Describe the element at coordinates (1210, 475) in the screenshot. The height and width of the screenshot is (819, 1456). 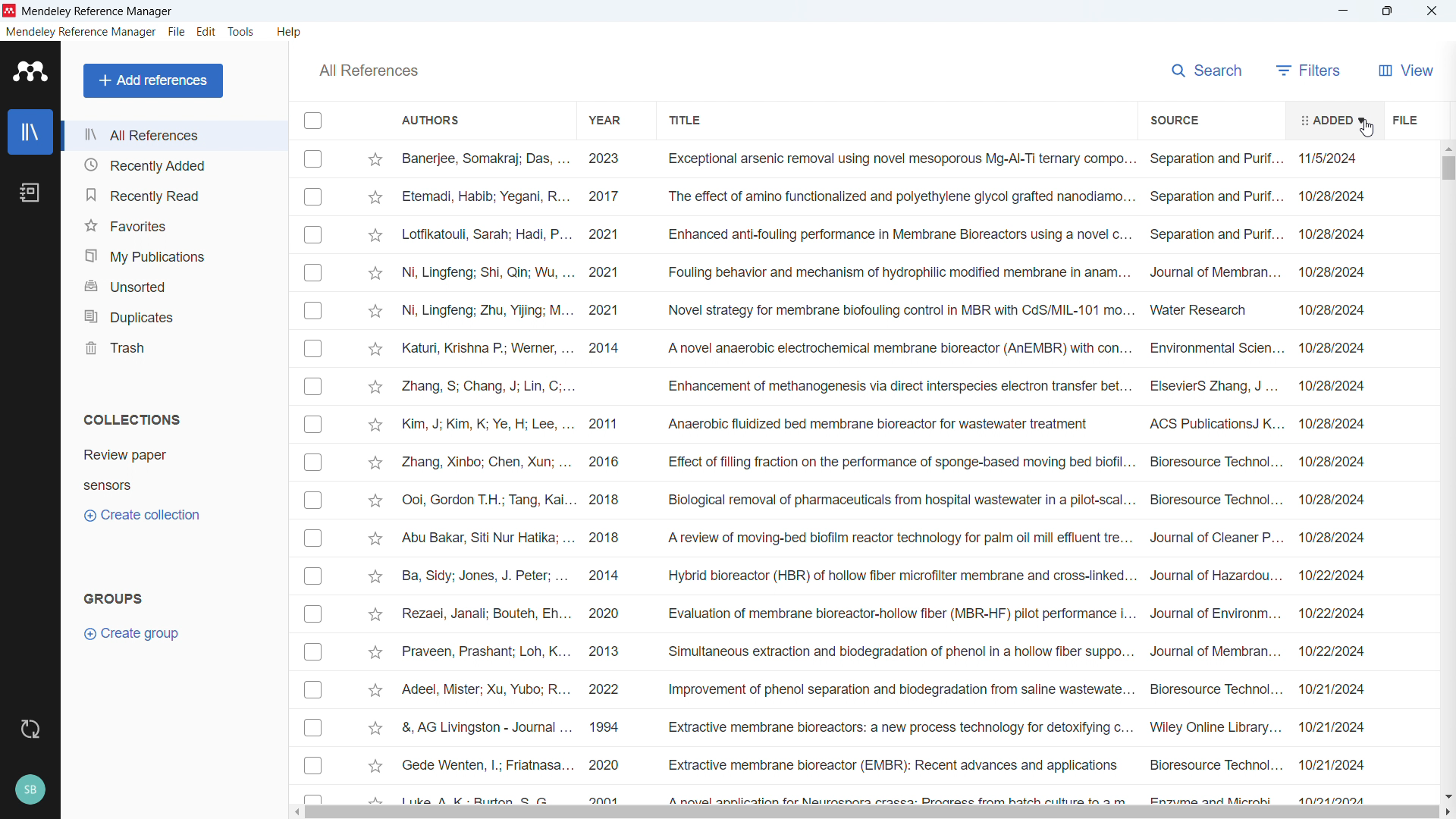
I see `source of individual entries ` at that location.